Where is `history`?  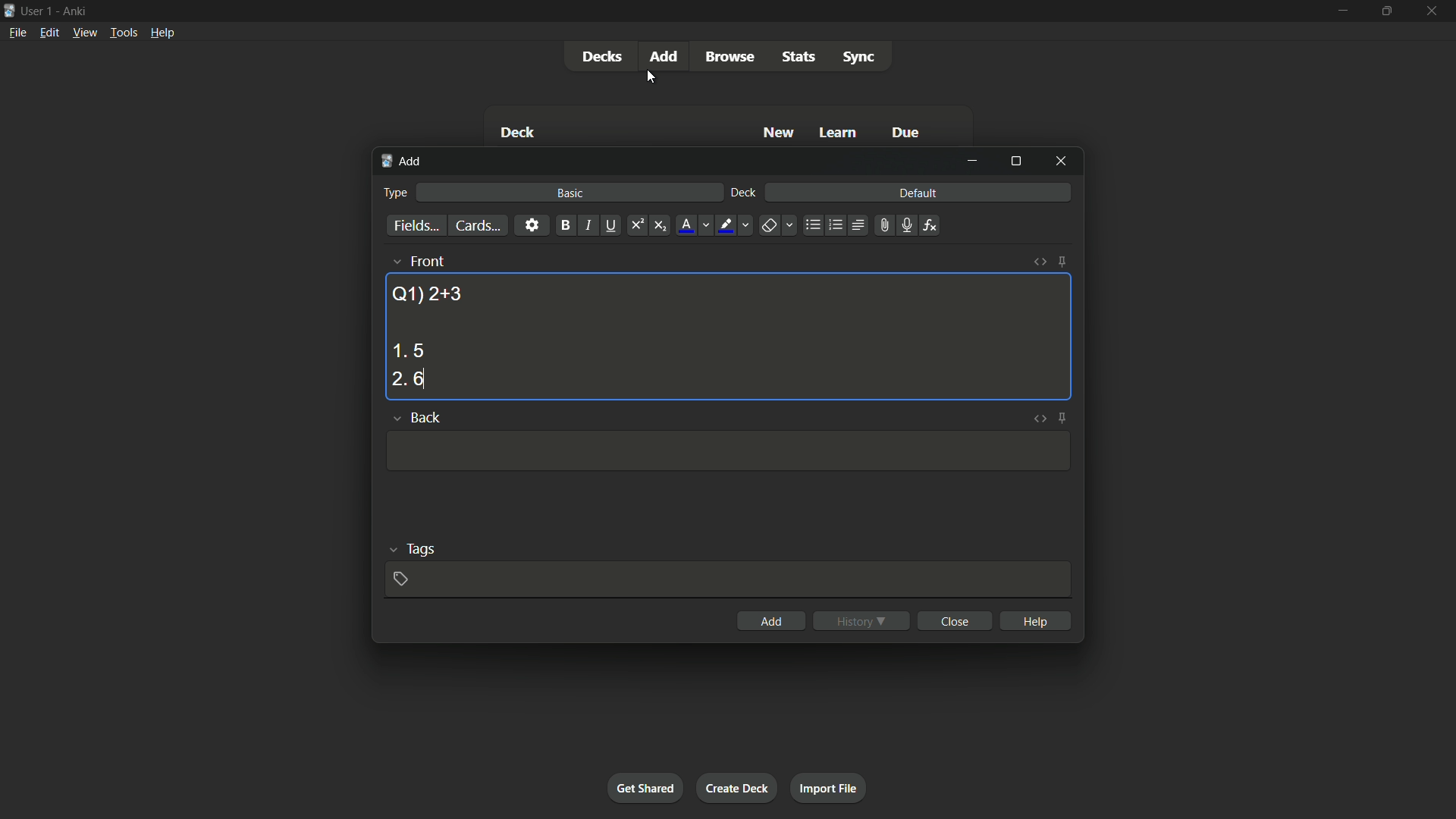
history is located at coordinates (861, 621).